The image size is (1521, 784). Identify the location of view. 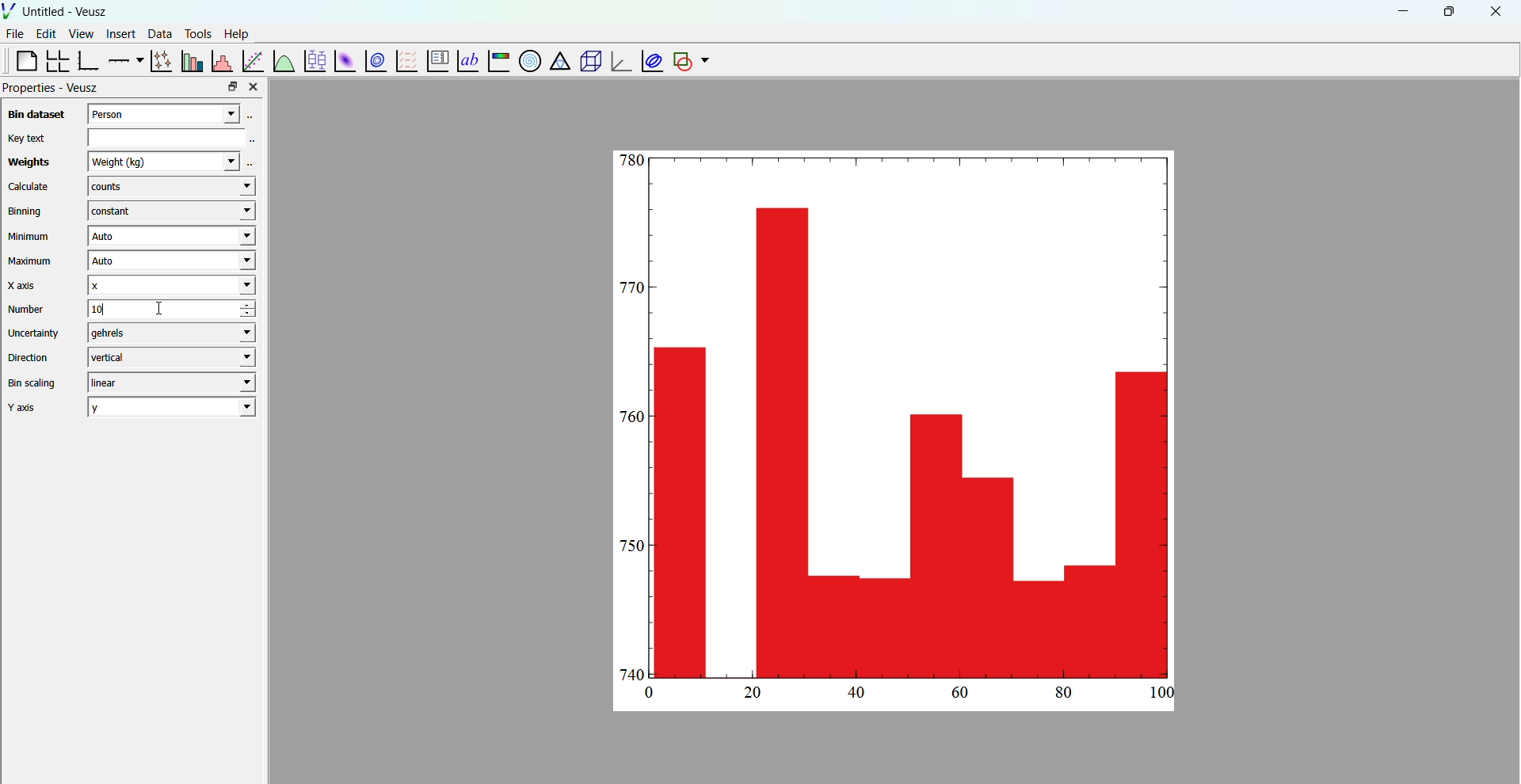
(81, 36).